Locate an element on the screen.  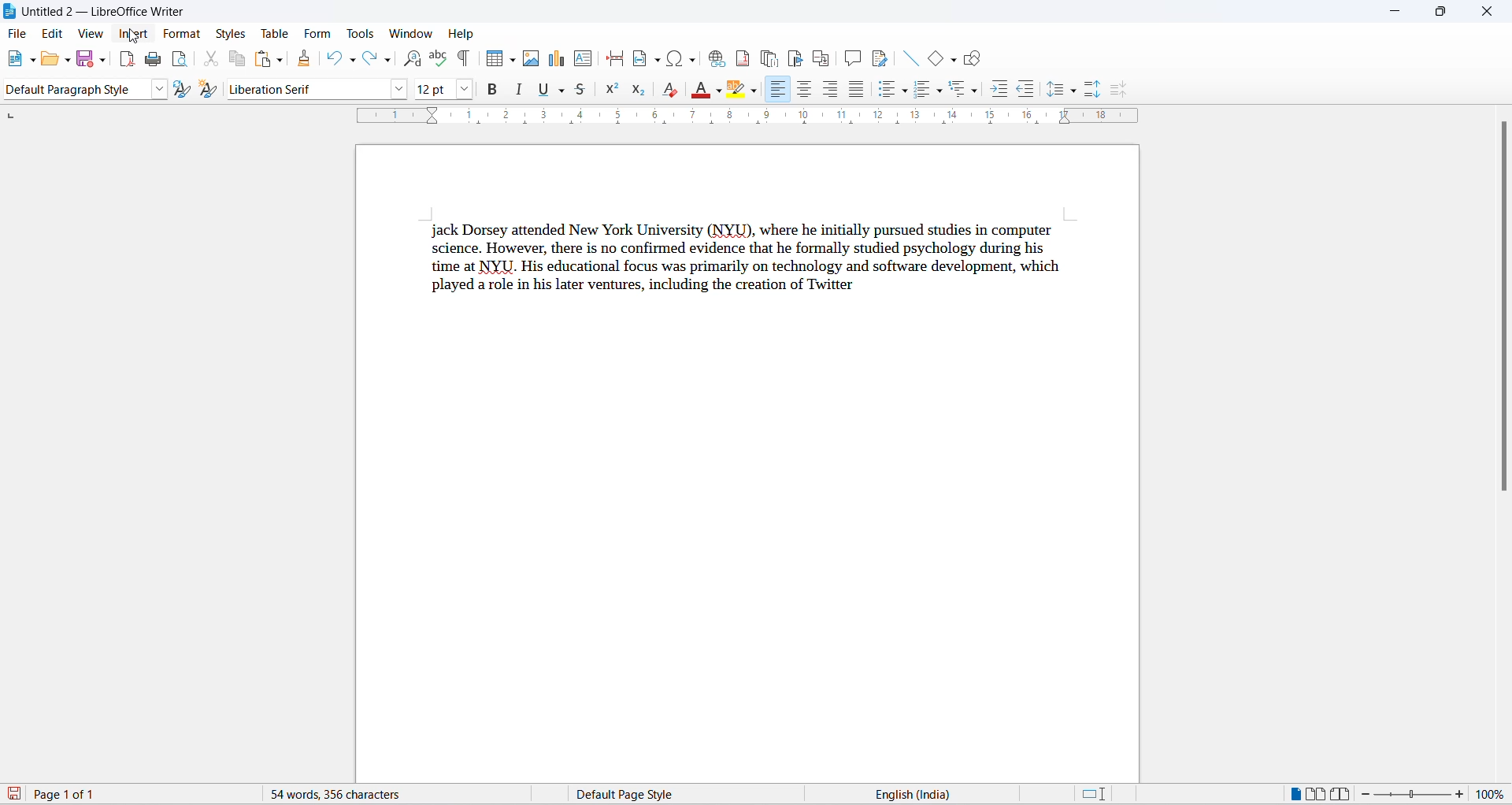
paragraph style is located at coordinates (78, 89).